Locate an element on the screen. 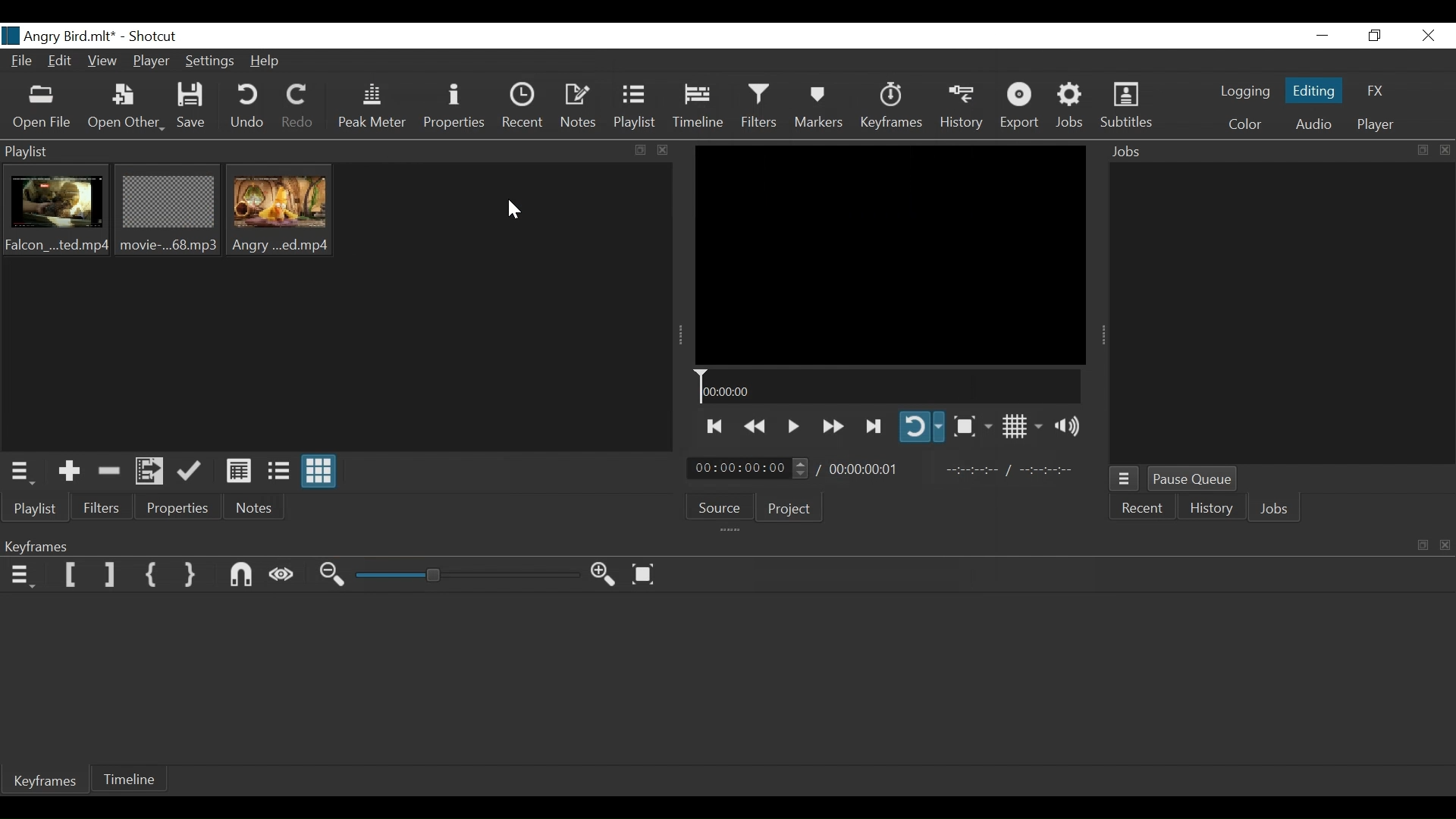 The image size is (1456, 819). Toggle player looping is located at coordinates (921, 425).